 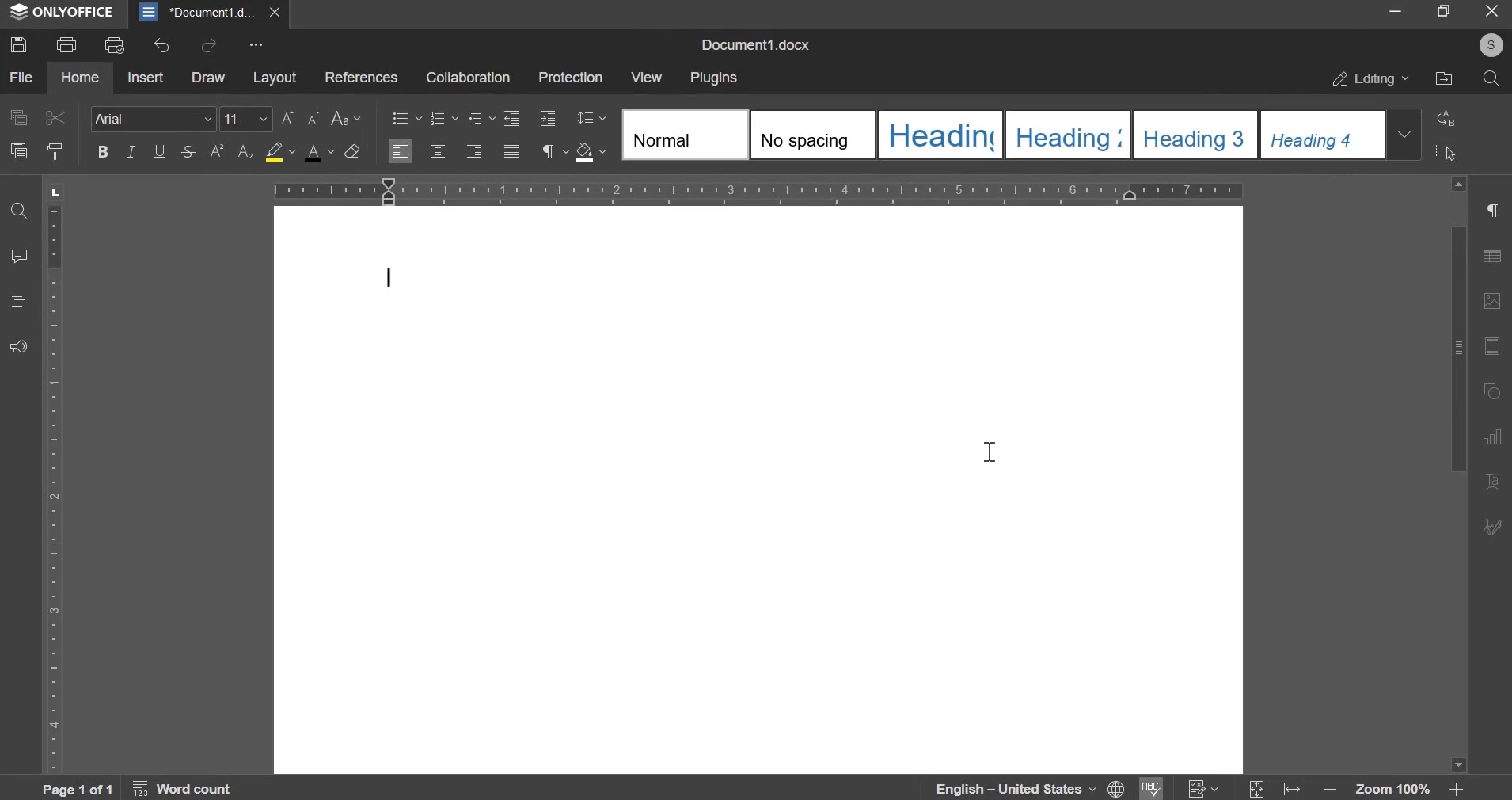 I want to click on plugins, so click(x=716, y=78).